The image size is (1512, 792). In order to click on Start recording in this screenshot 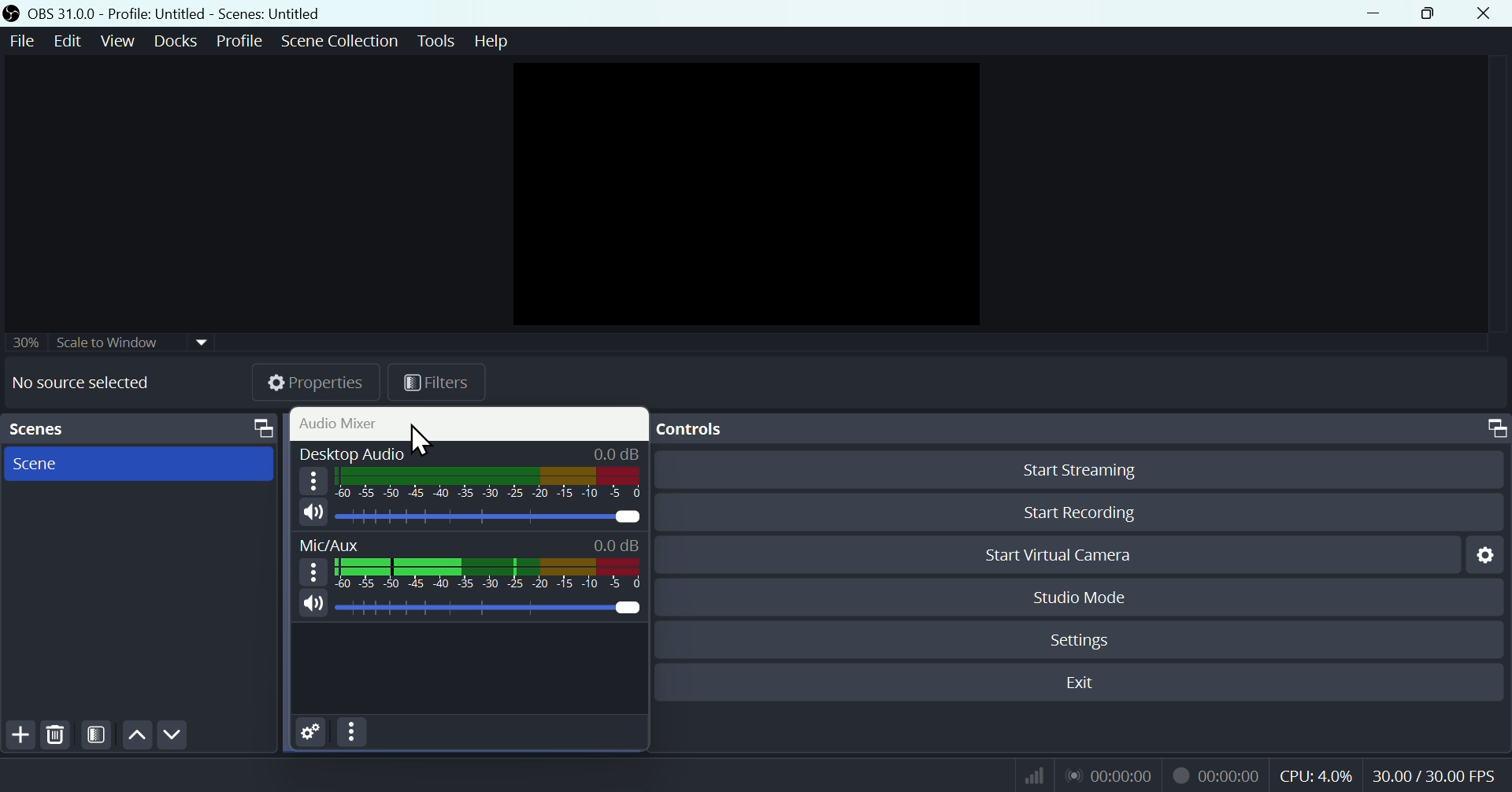, I will do `click(1084, 514)`.